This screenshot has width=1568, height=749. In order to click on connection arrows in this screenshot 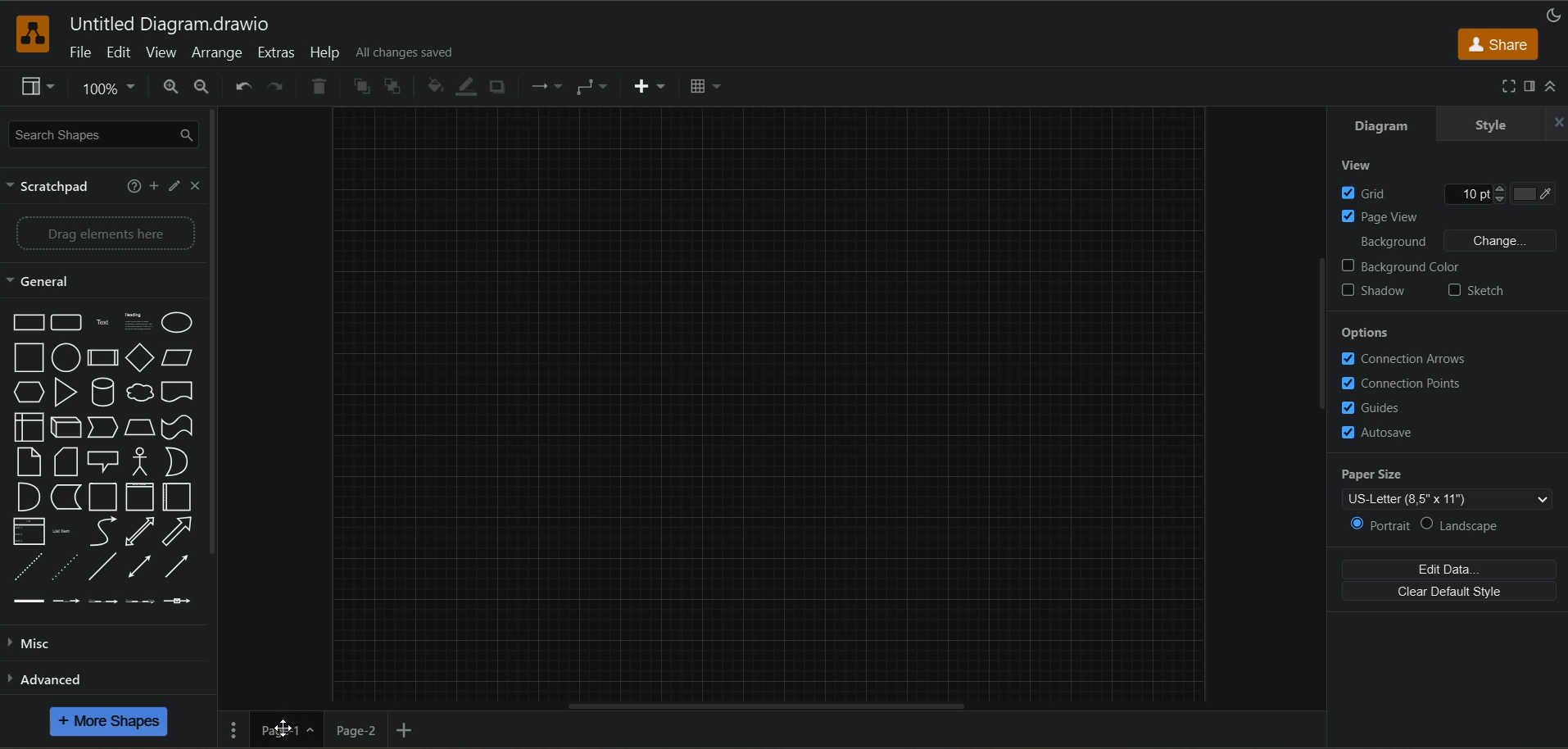, I will do `click(1404, 361)`.